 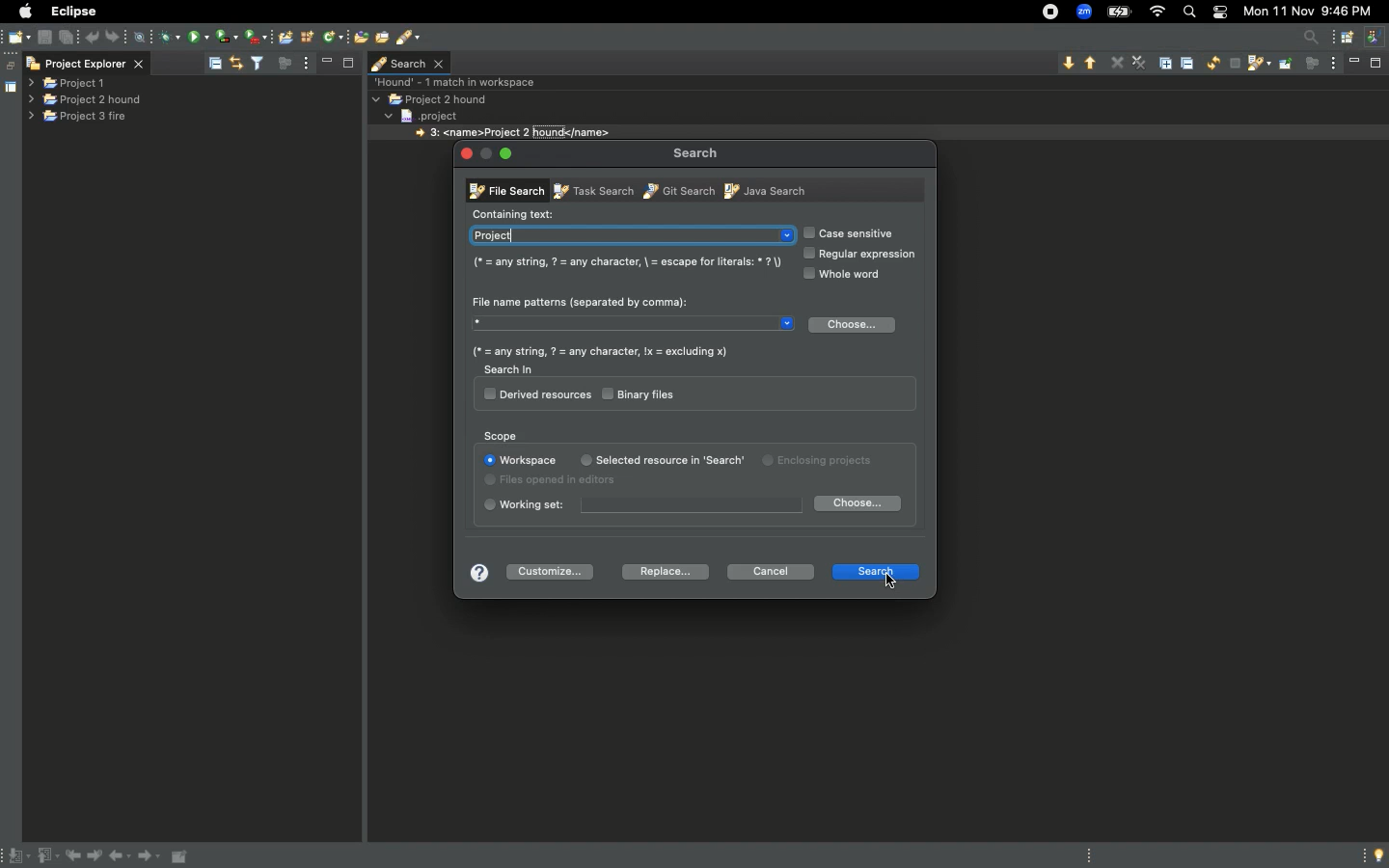 What do you see at coordinates (258, 36) in the screenshot?
I see `run last tool` at bounding box center [258, 36].